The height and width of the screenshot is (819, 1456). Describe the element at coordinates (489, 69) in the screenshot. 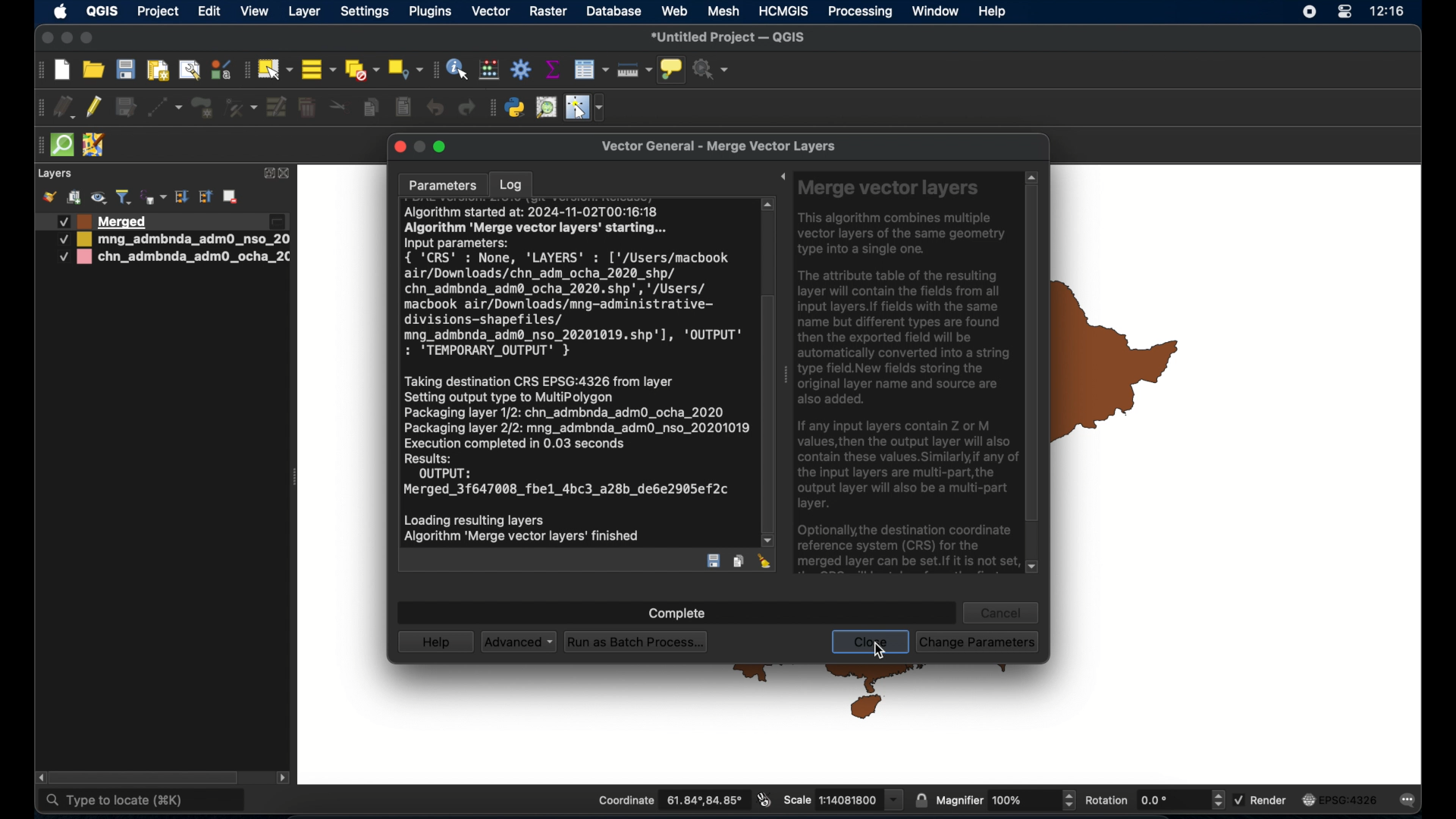

I see `open field calculator` at that location.